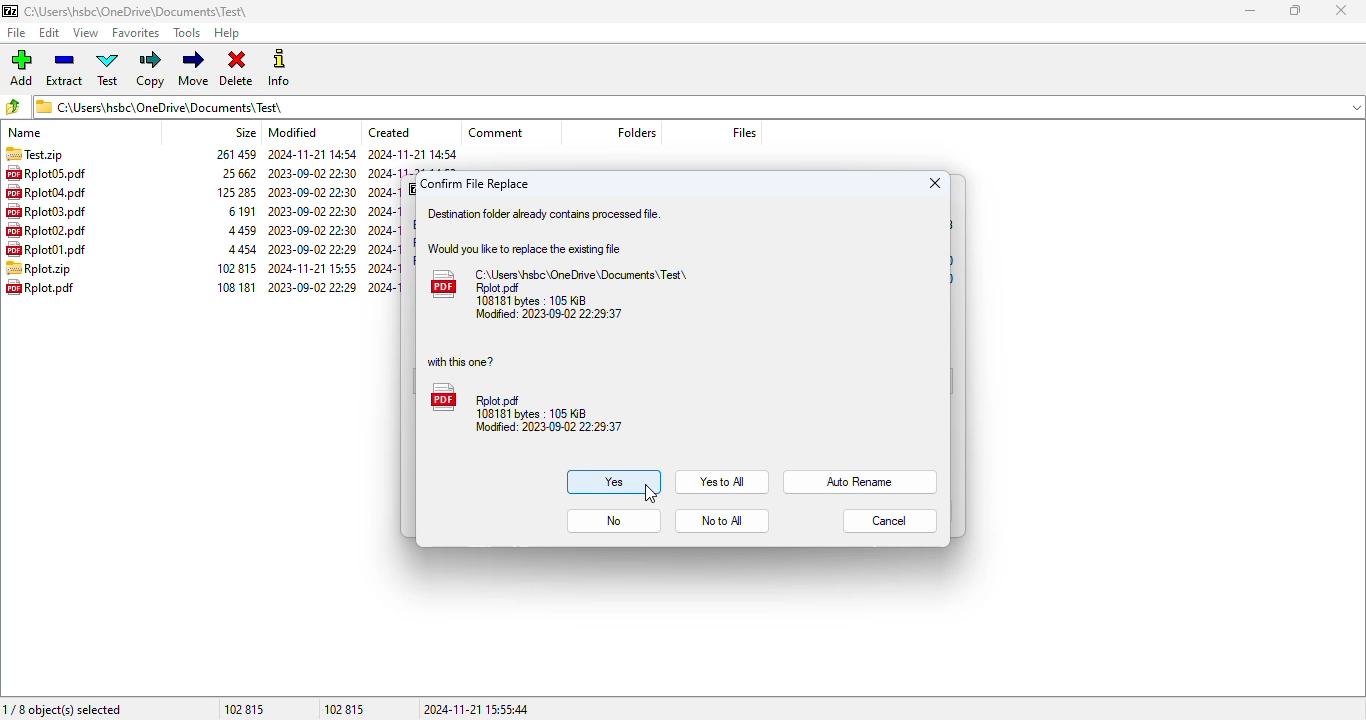 This screenshot has height=720, width=1366. I want to click on delete, so click(237, 68).